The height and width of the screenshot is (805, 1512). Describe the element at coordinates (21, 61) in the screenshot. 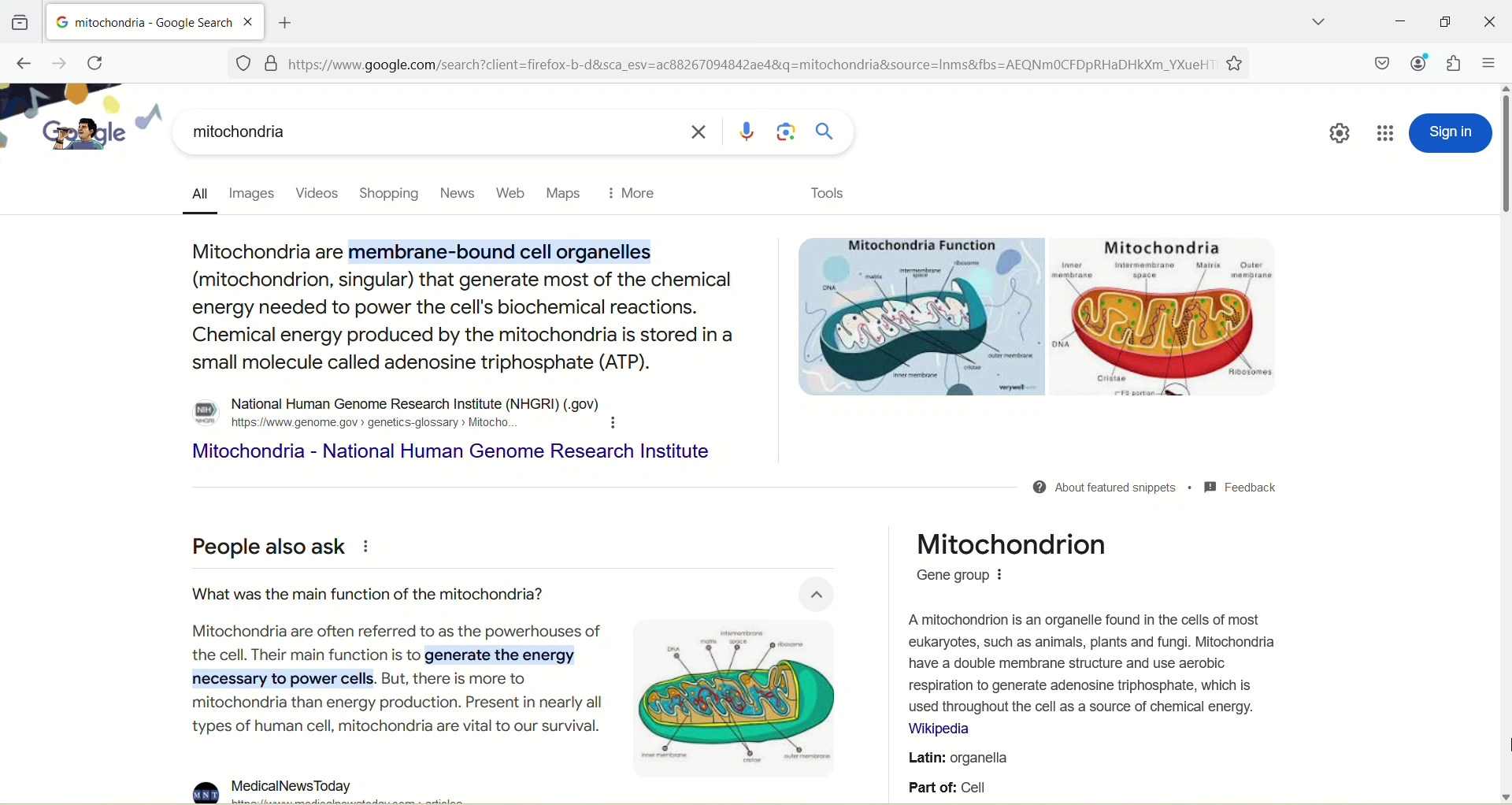

I see `go back one page` at that location.